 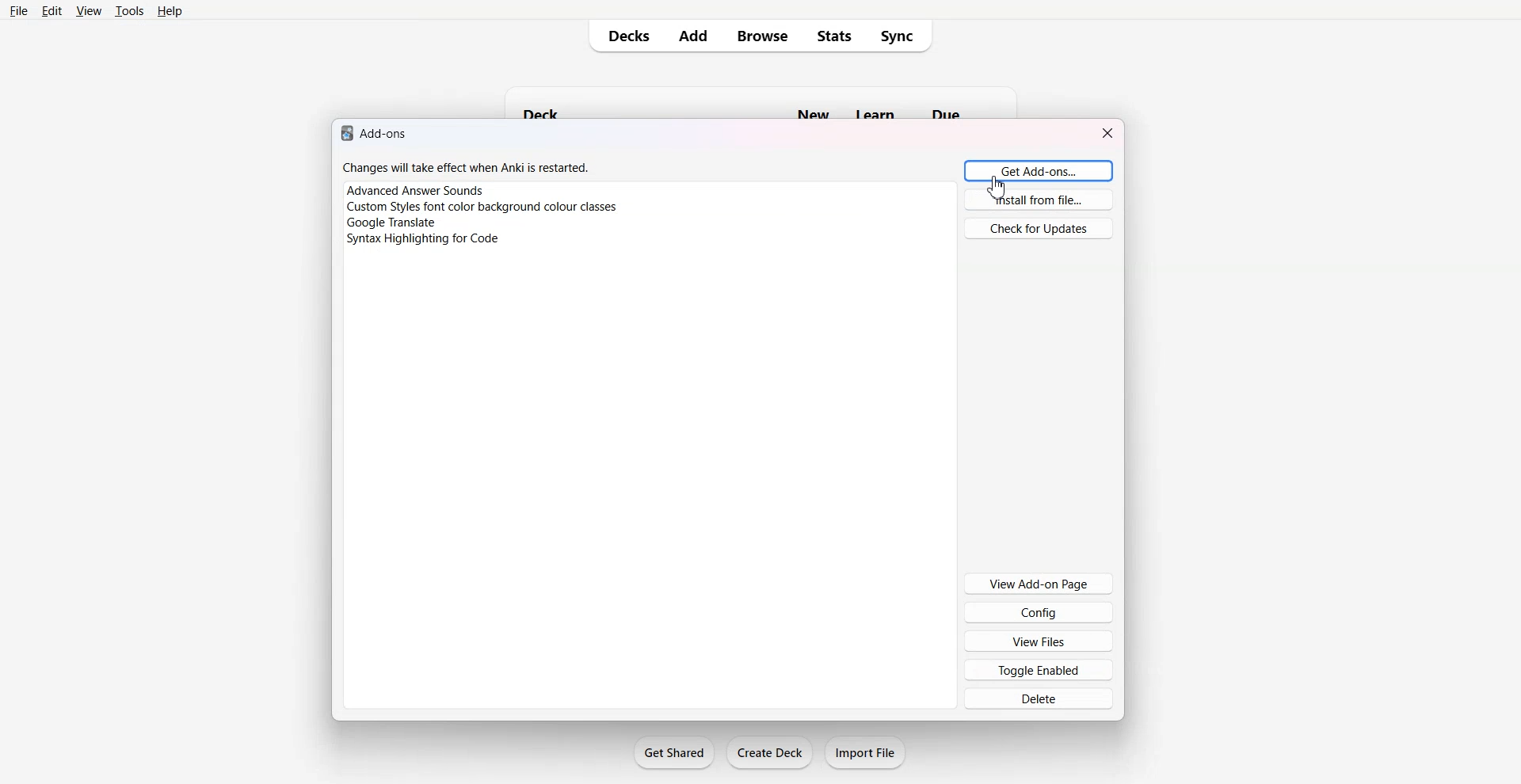 I want to click on Install from file, so click(x=1039, y=200).